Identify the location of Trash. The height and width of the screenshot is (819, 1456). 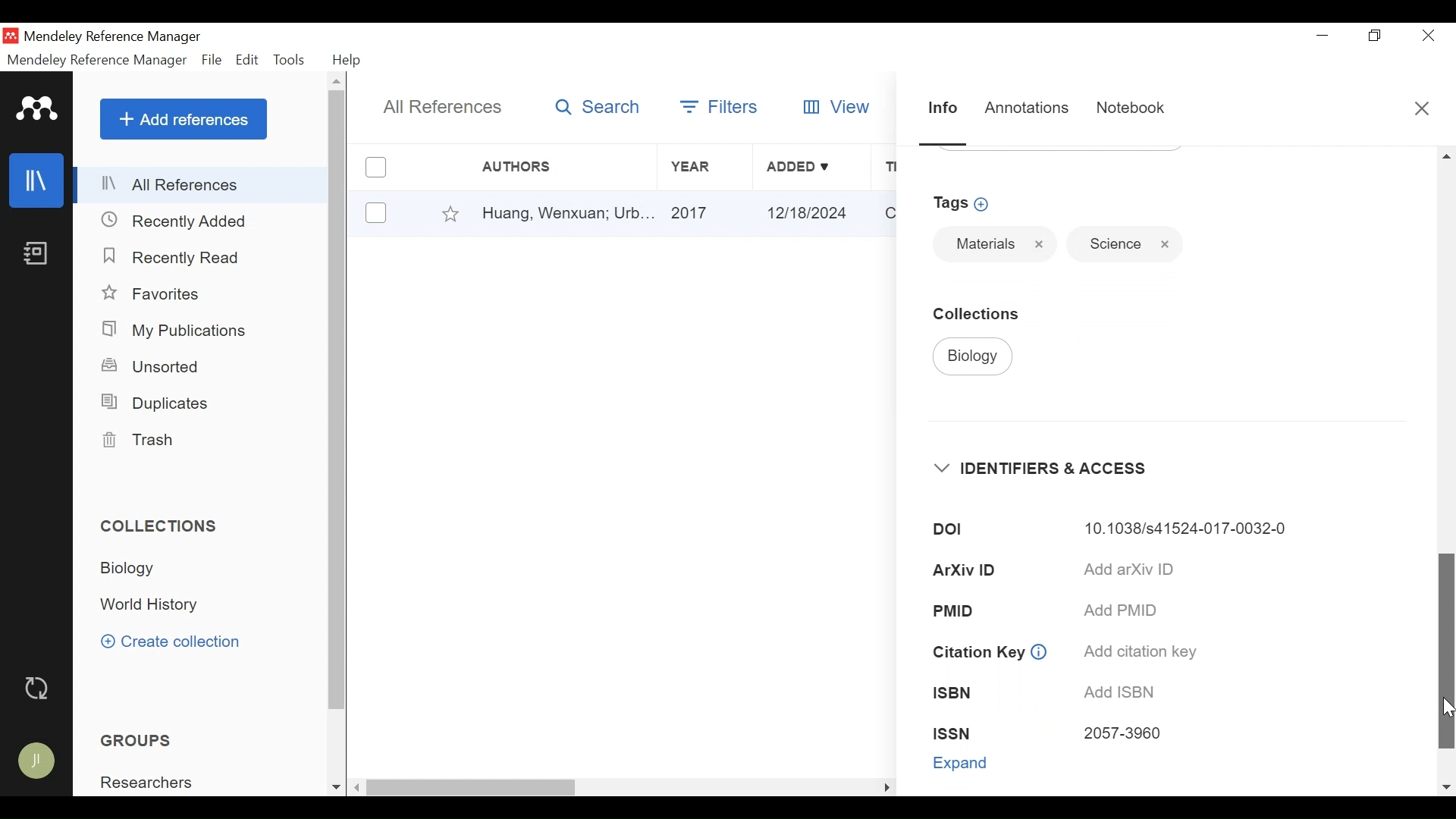
(146, 440).